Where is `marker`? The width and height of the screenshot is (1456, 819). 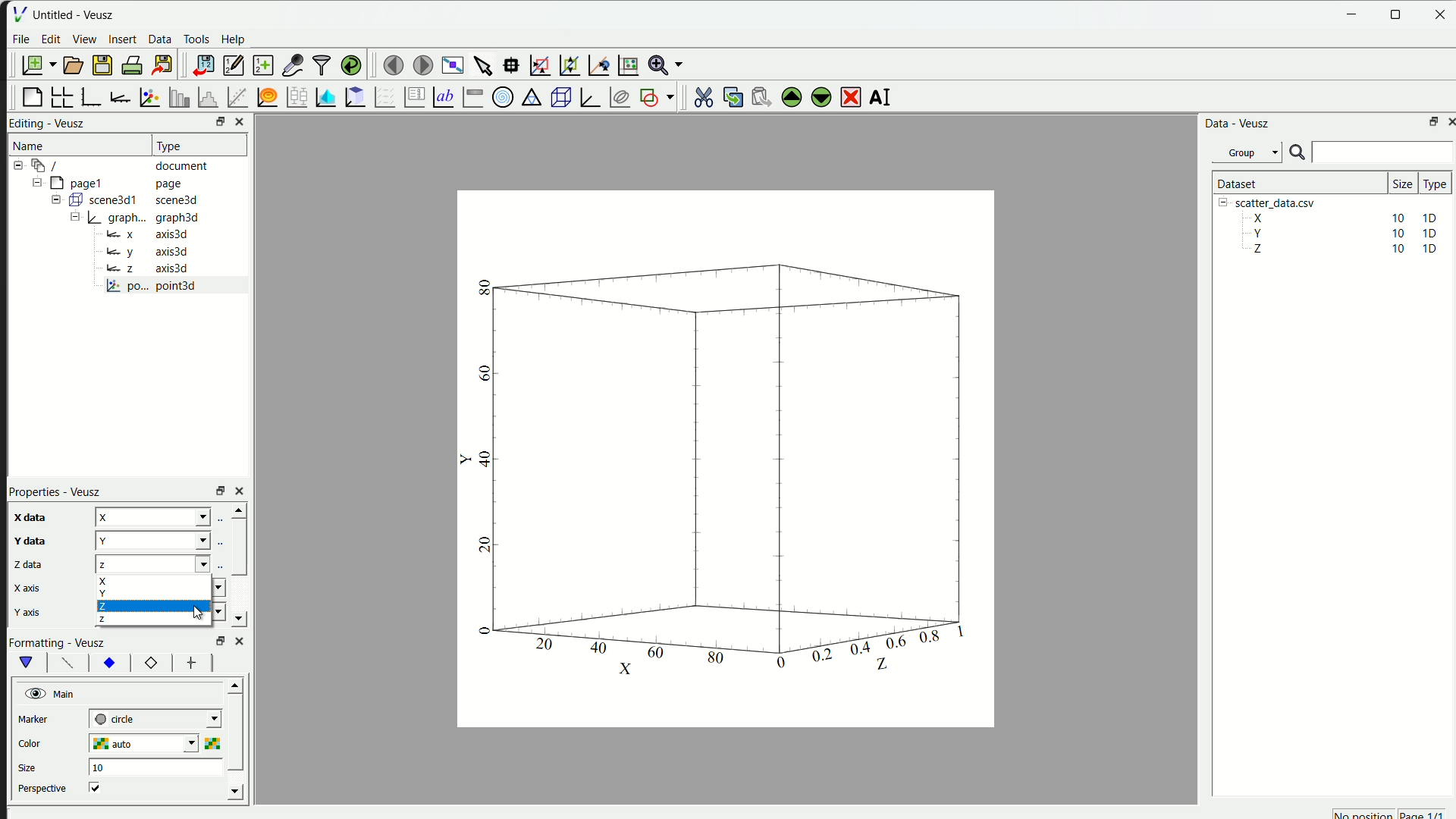
marker is located at coordinates (39, 719).